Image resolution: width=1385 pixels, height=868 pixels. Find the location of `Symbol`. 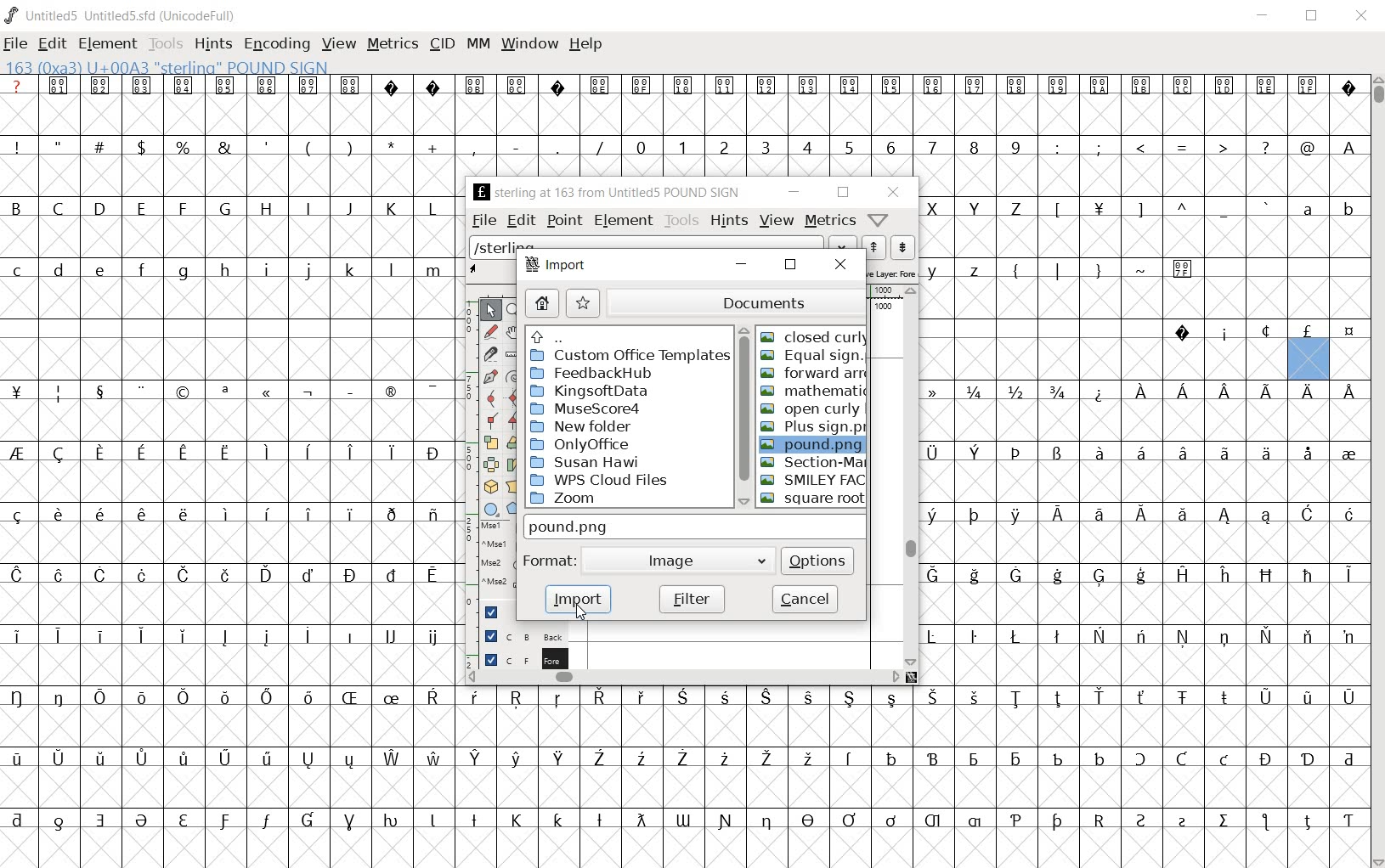

Symbol is located at coordinates (20, 392).